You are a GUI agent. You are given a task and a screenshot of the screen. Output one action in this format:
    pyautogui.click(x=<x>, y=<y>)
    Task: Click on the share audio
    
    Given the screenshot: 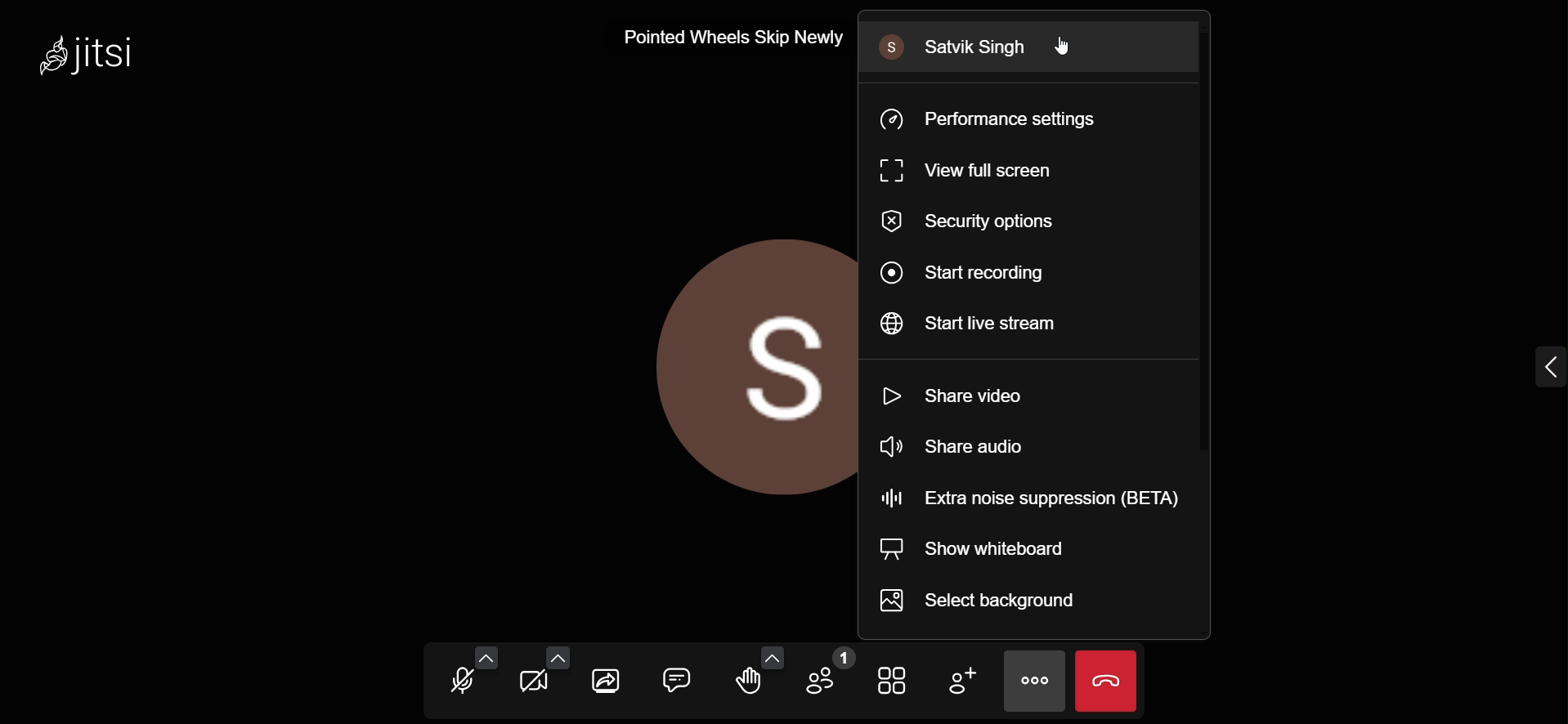 What is the action you would take?
    pyautogui.click(x=965, y=453)
    